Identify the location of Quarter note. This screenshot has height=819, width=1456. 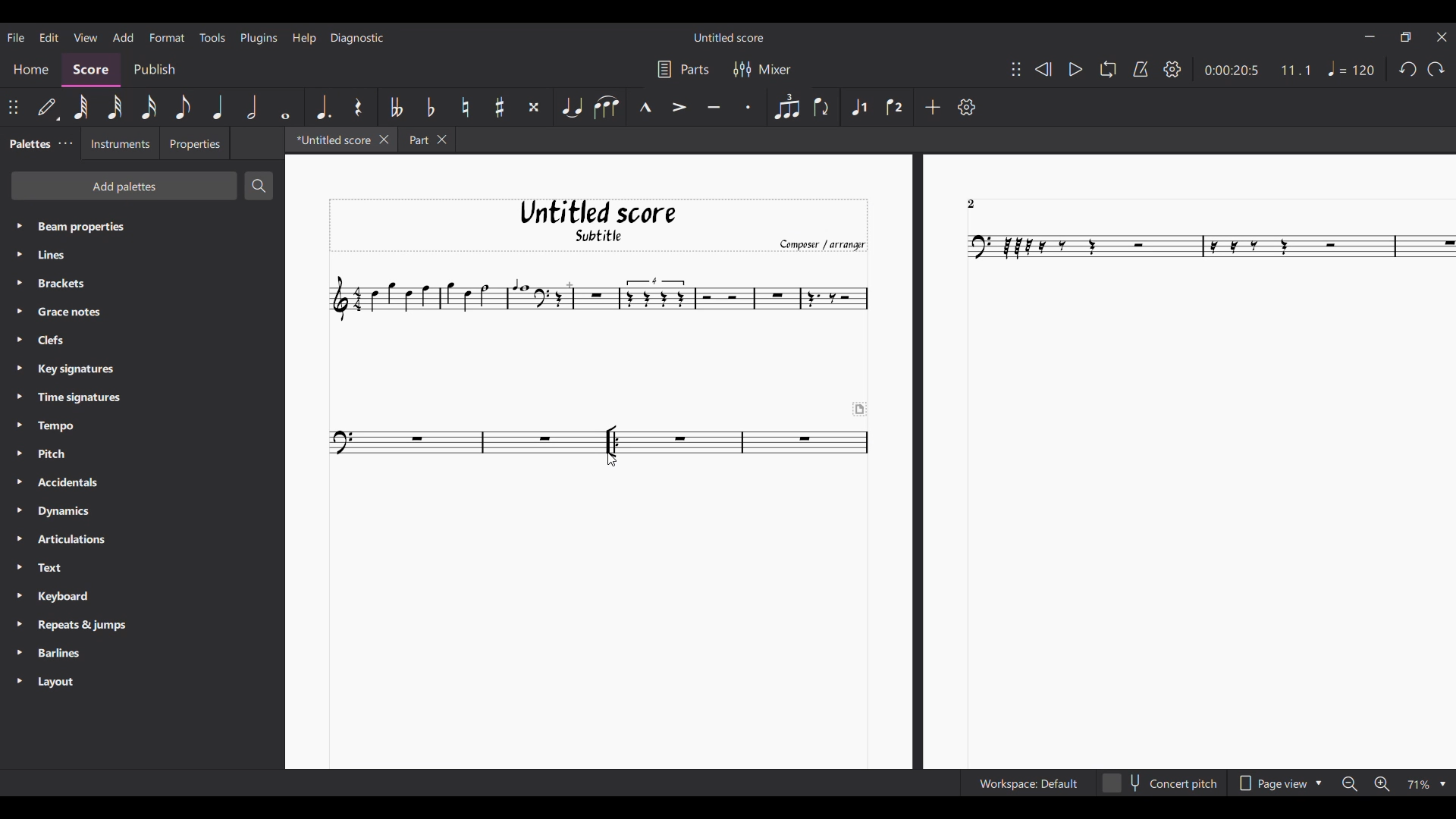
(218, 107).